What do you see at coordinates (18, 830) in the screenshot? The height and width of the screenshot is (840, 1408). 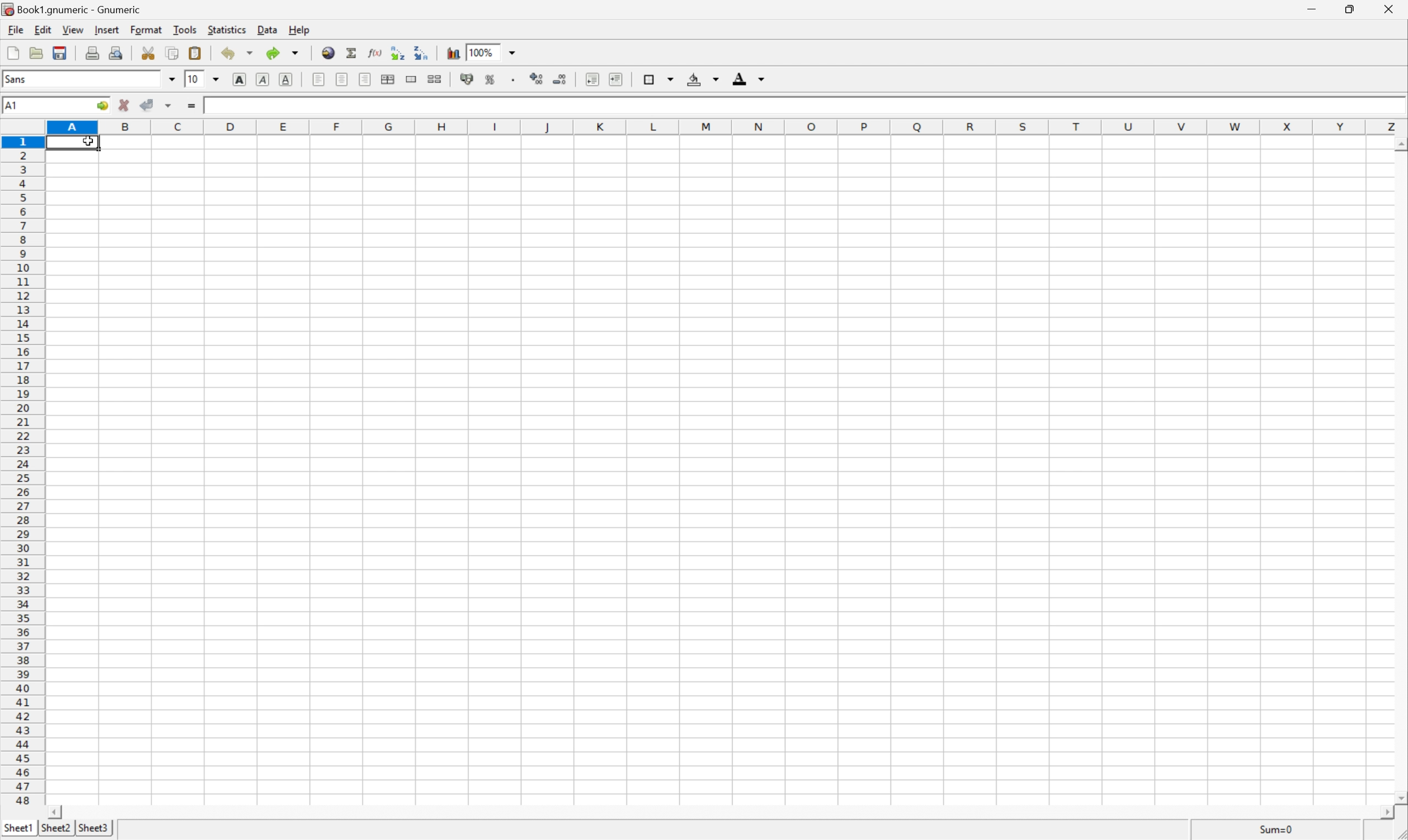 I see `sheet1` at bounding box center [18, 830].